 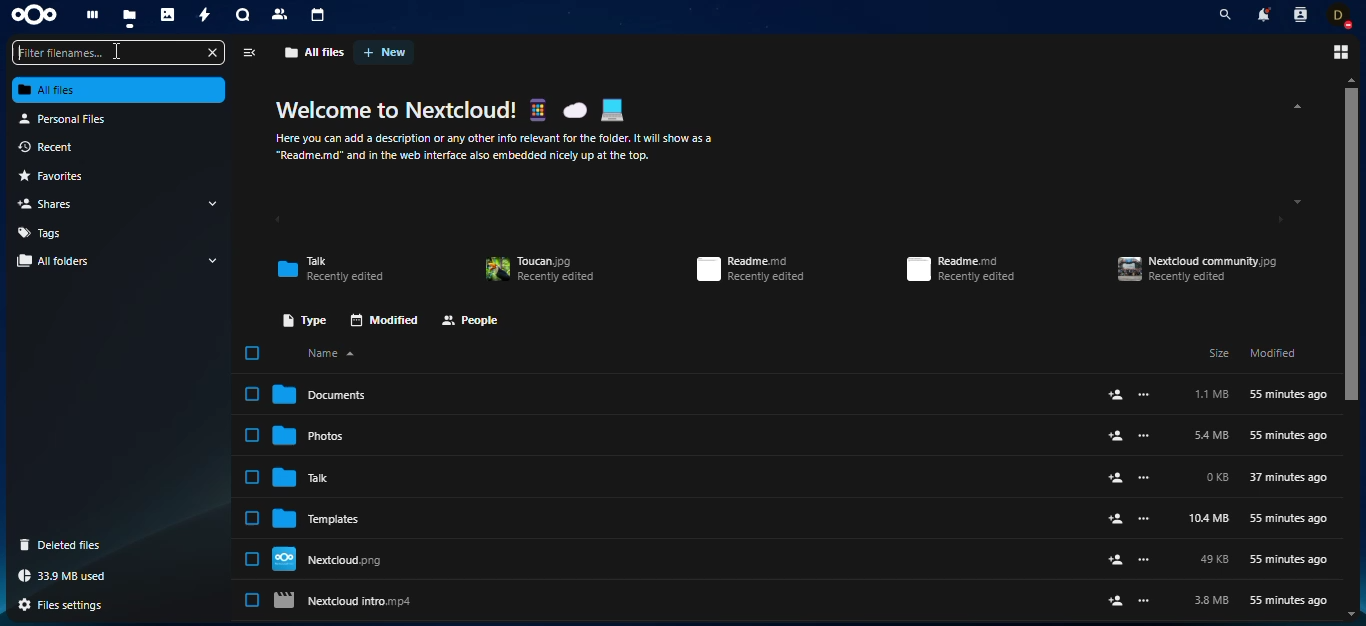 What do you see at coordinates (252, 599) in the screenshot?
I see `Click to select` at bounding box center [252, 599].